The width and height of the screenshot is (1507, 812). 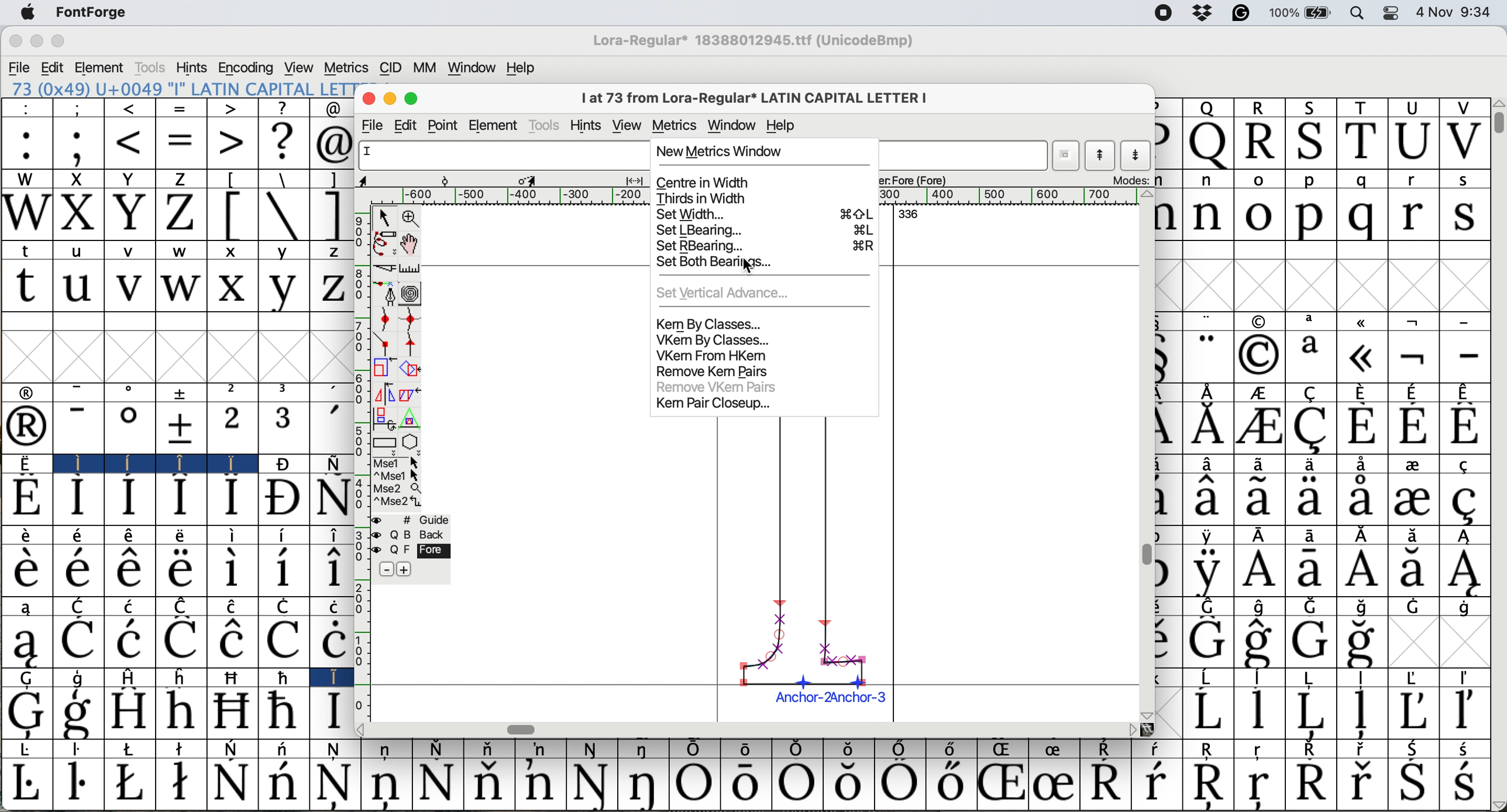 What do you see at coordinates (539, 783) in the screenshot?
I see `Symbol` at bounding box center [539, 783].